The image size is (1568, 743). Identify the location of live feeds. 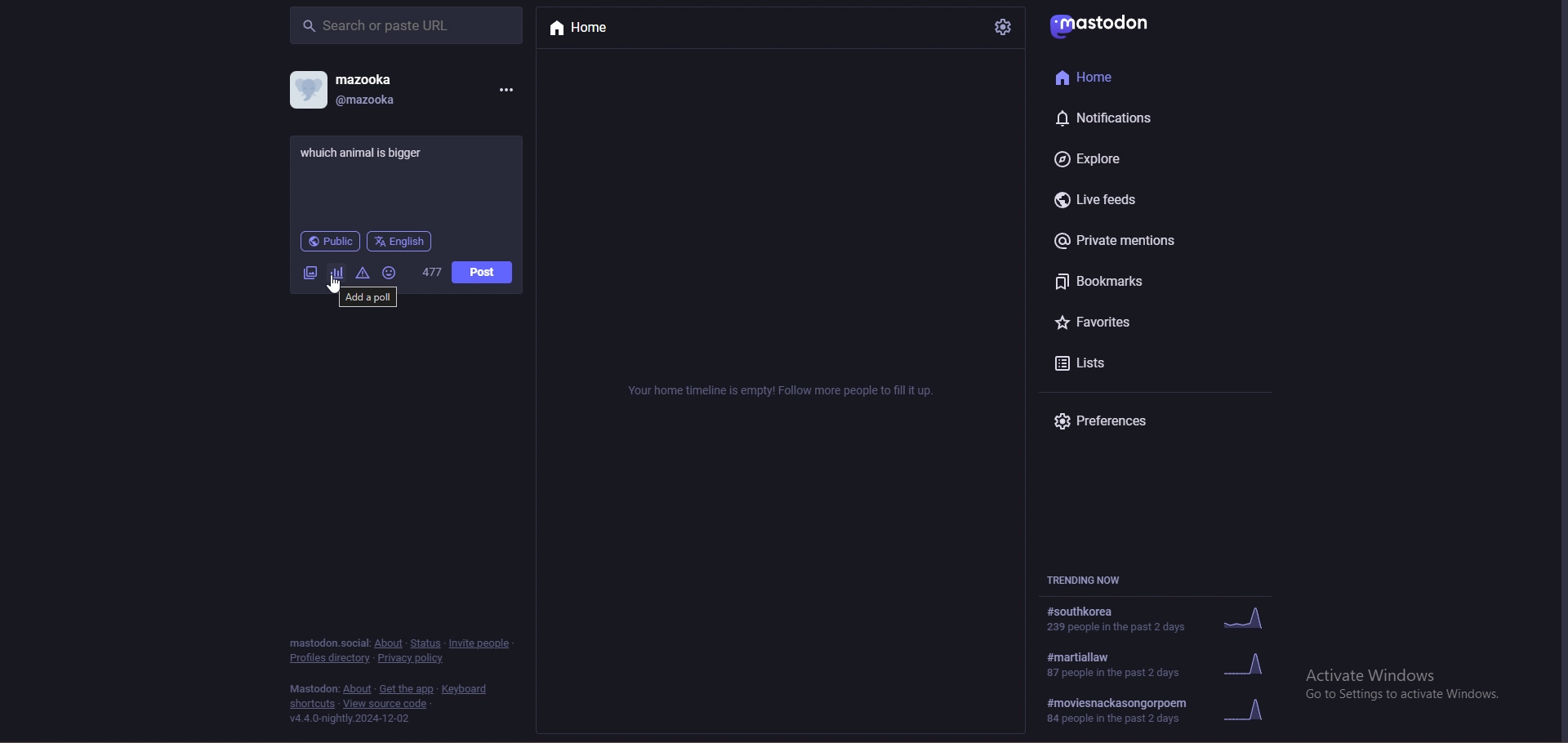
(1104, 200).